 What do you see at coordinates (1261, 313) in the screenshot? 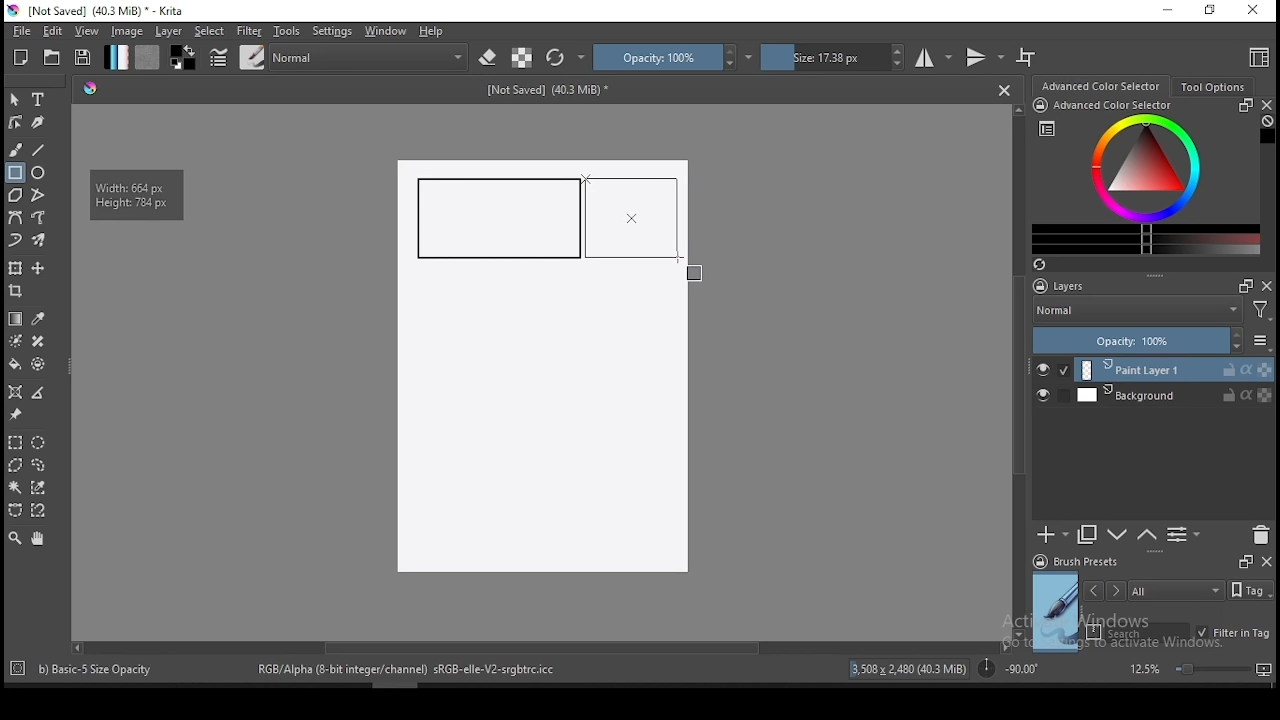
I see `Filter` at bounding box center [1261, 313].